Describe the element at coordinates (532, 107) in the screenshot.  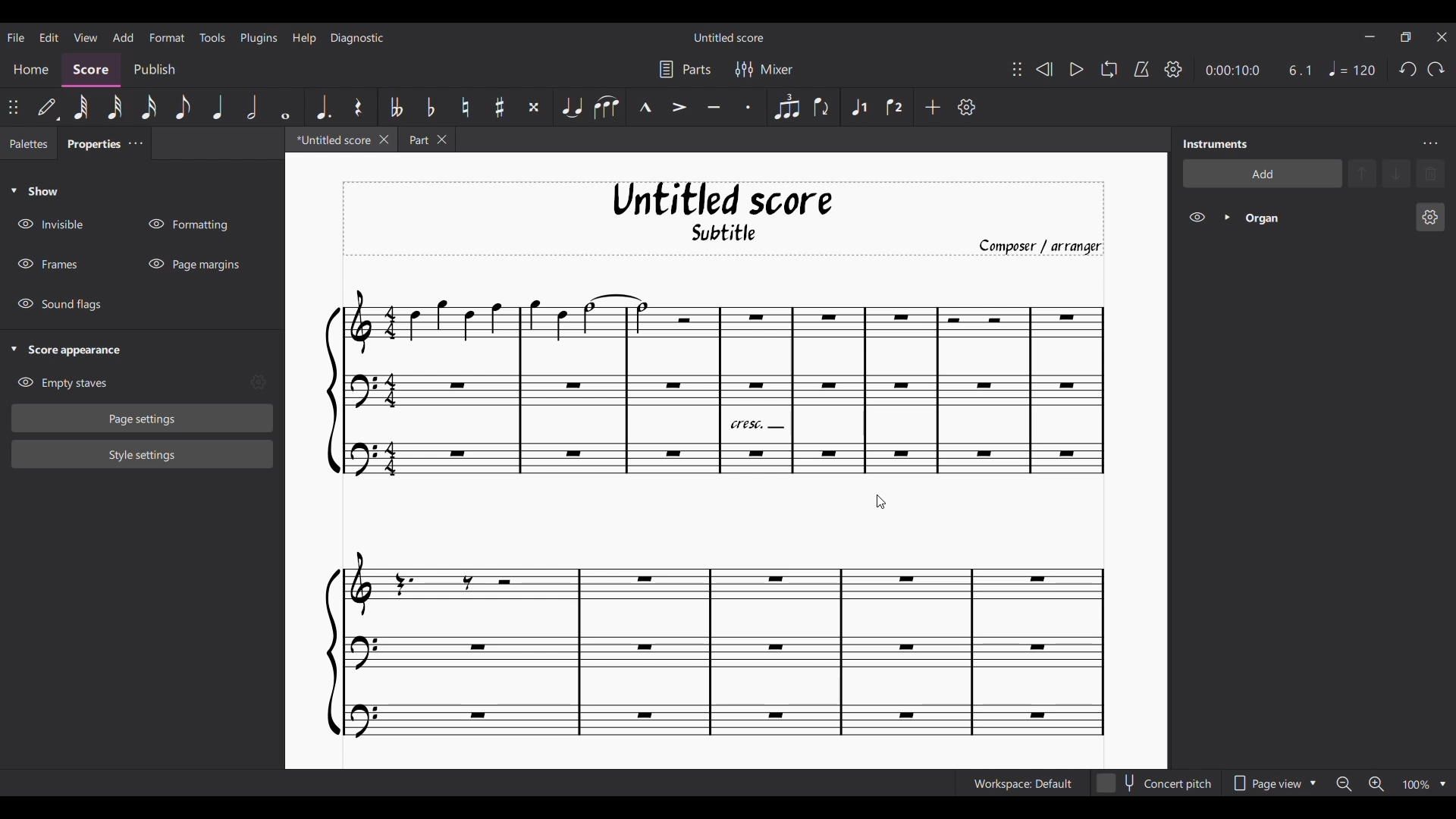
I see `Toggle double sharp` at that location.